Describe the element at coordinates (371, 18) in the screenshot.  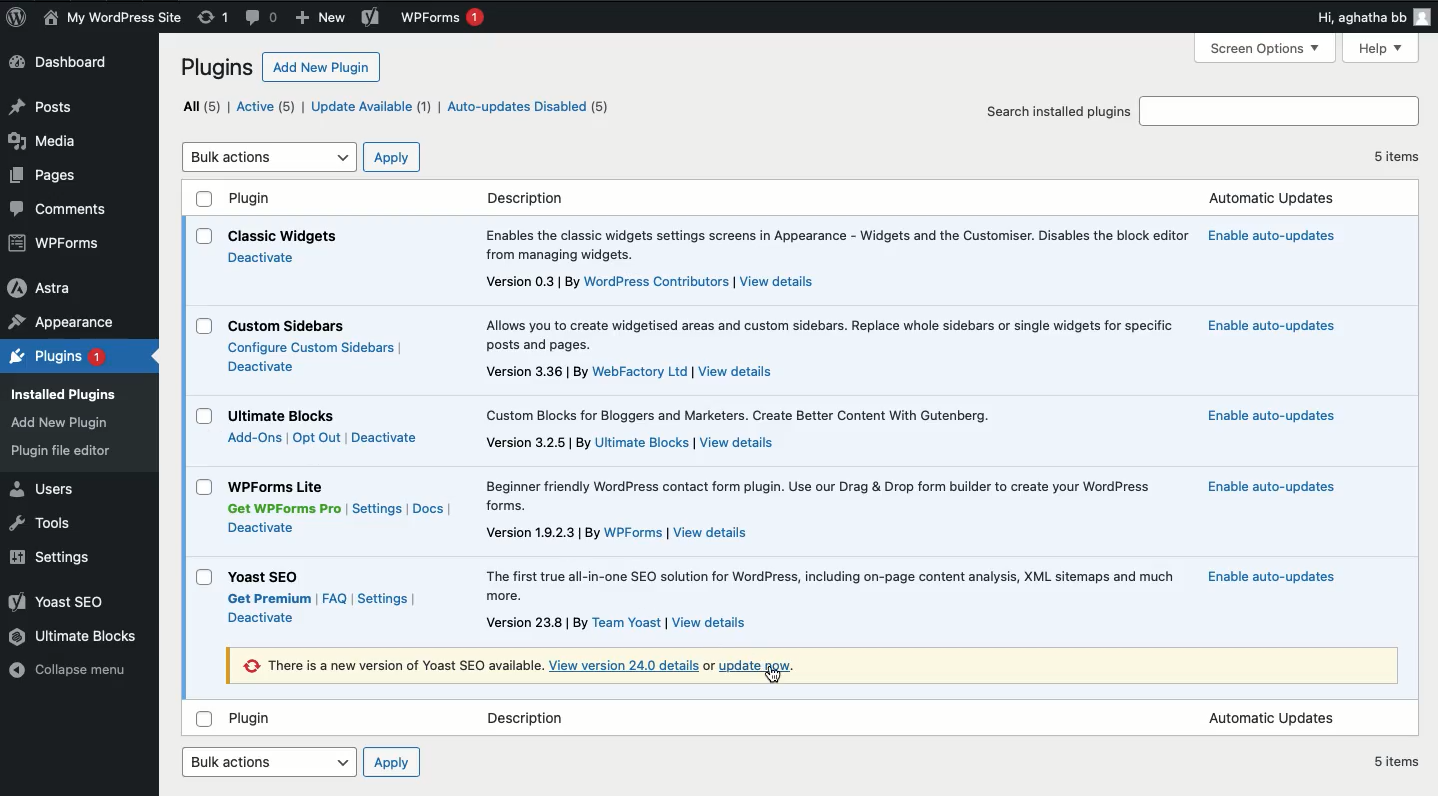
I see `Yoast` at that location.